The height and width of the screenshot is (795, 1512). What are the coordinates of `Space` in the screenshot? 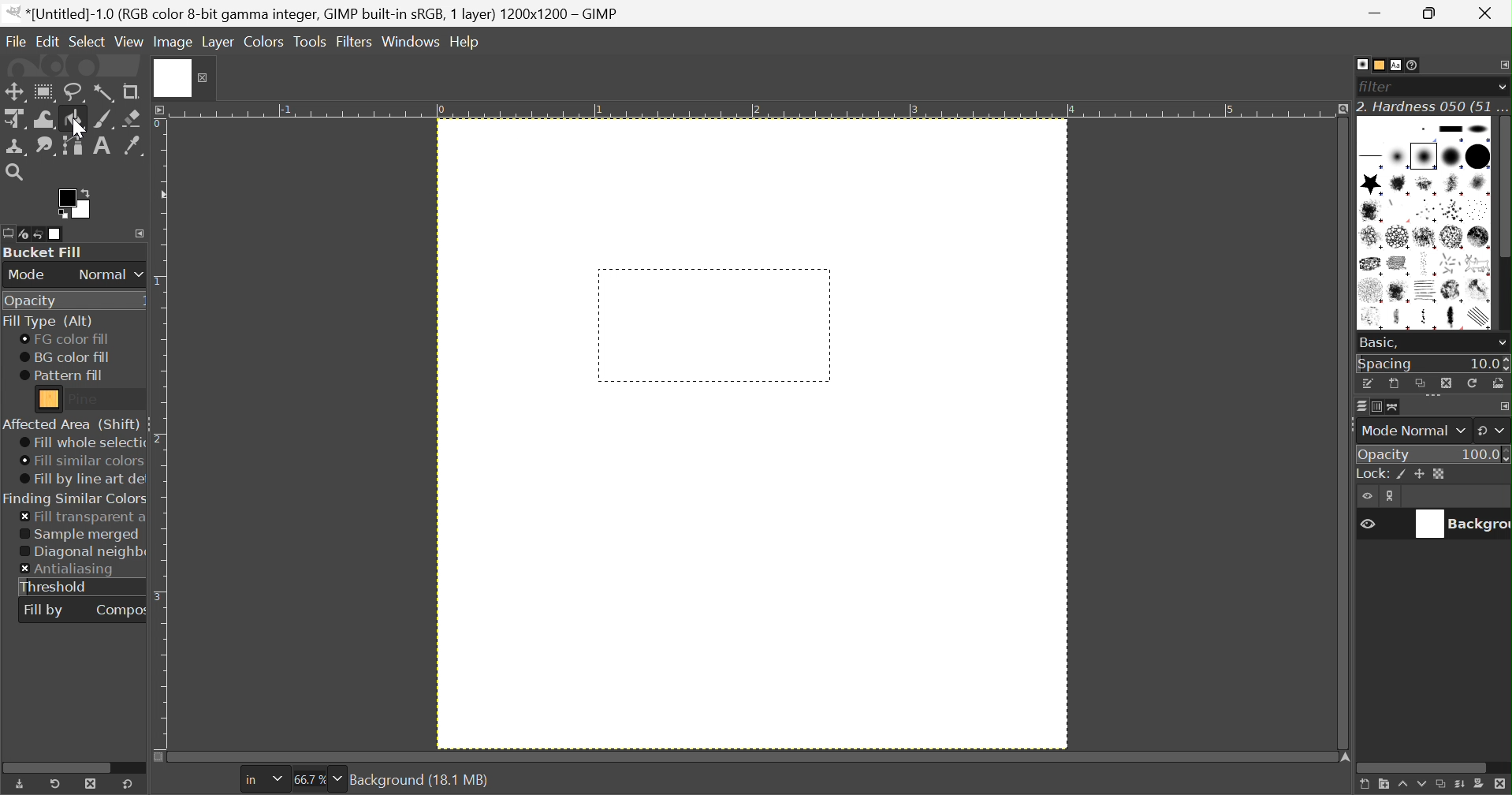 It's located at (1386, 364).